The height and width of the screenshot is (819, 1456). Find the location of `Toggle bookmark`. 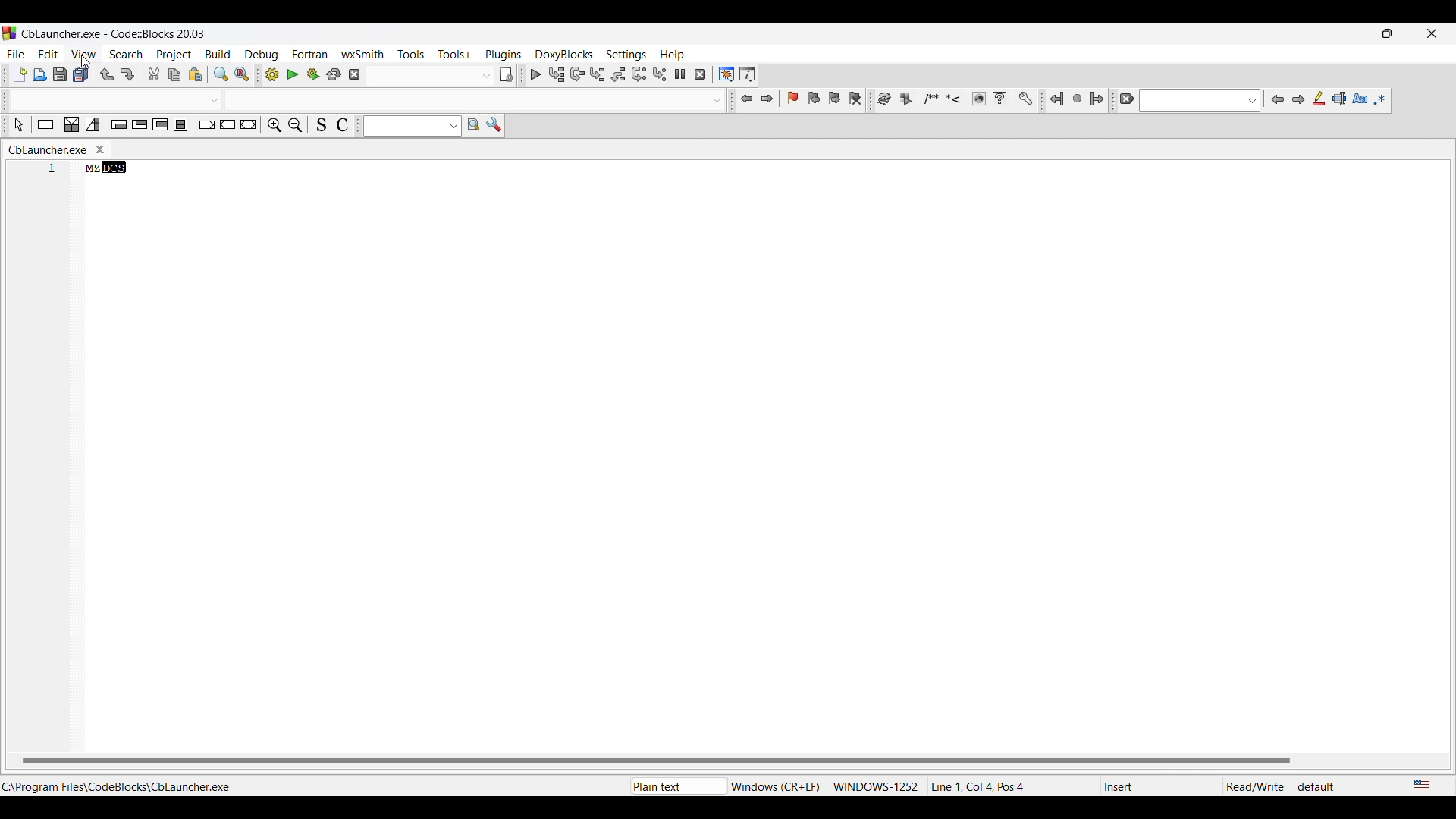

Toggle bookmark is located at coordinates (792, 98).